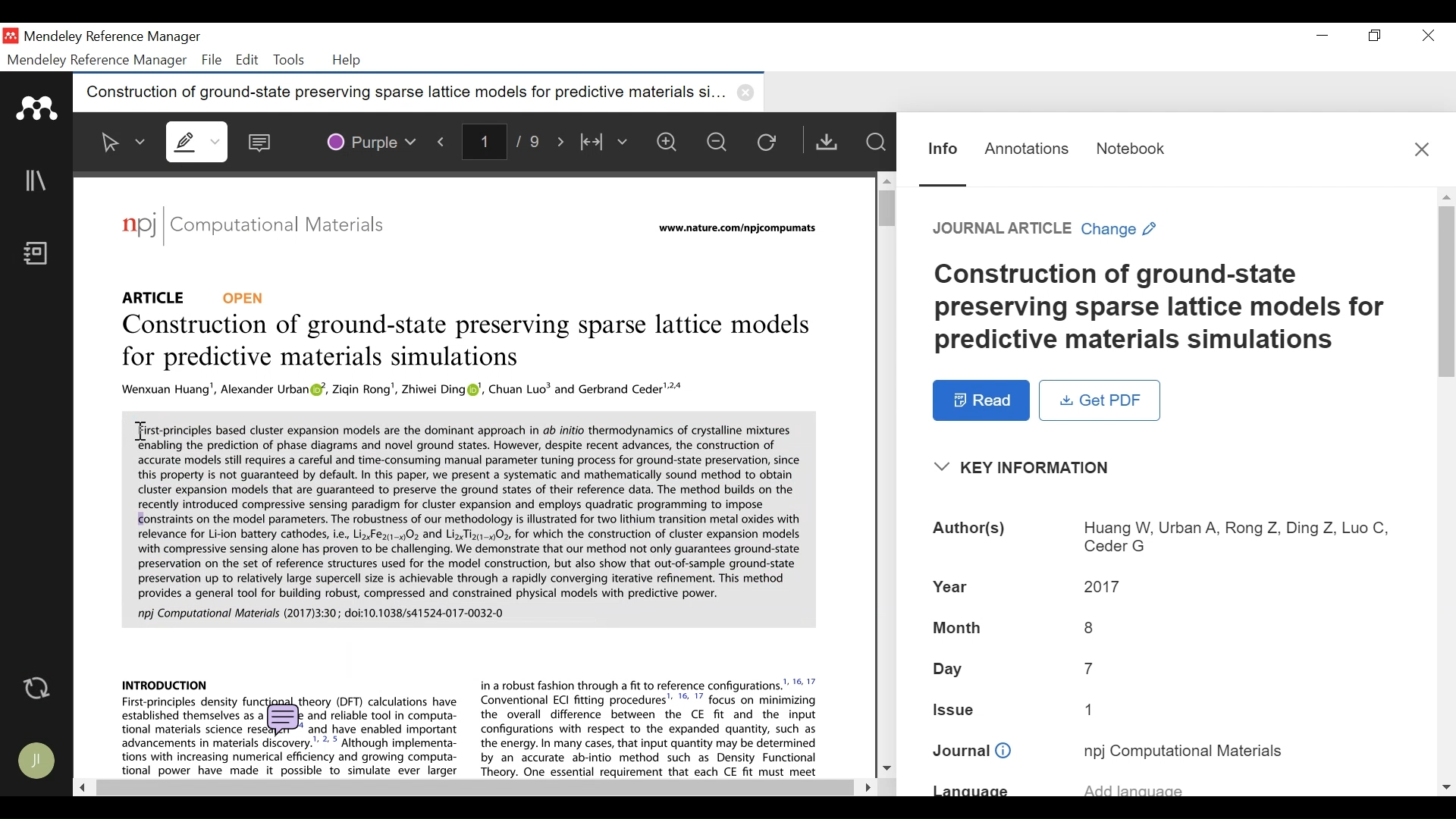 This screenshot has height=819, width=1456. I want to click on Vertical Scroll bar, so click(1447, 290).